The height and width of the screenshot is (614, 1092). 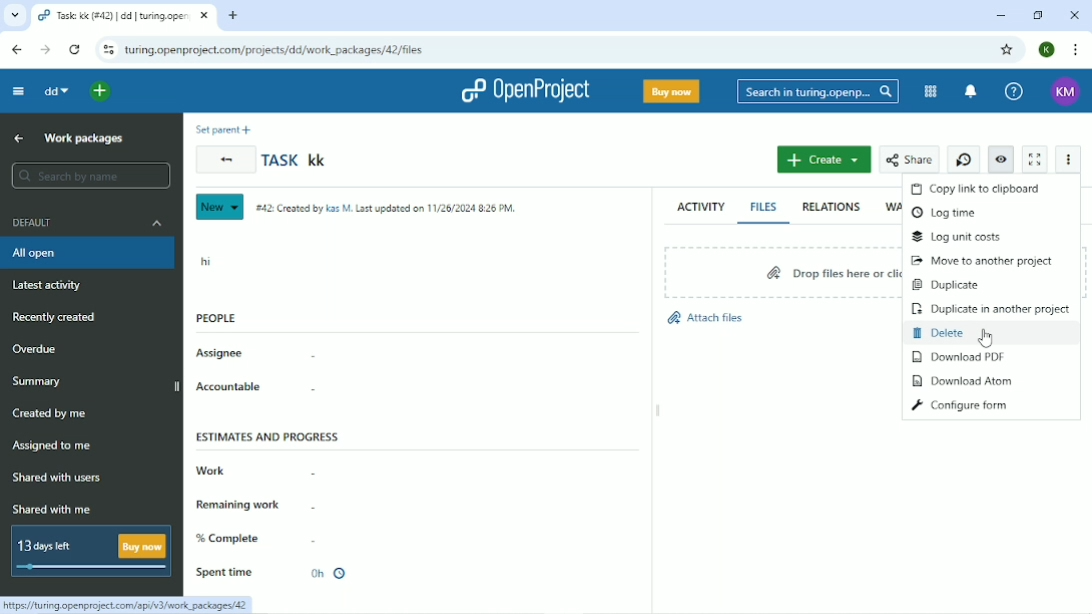 I want to click on Estimates and progress, so click(x=268, y=435).